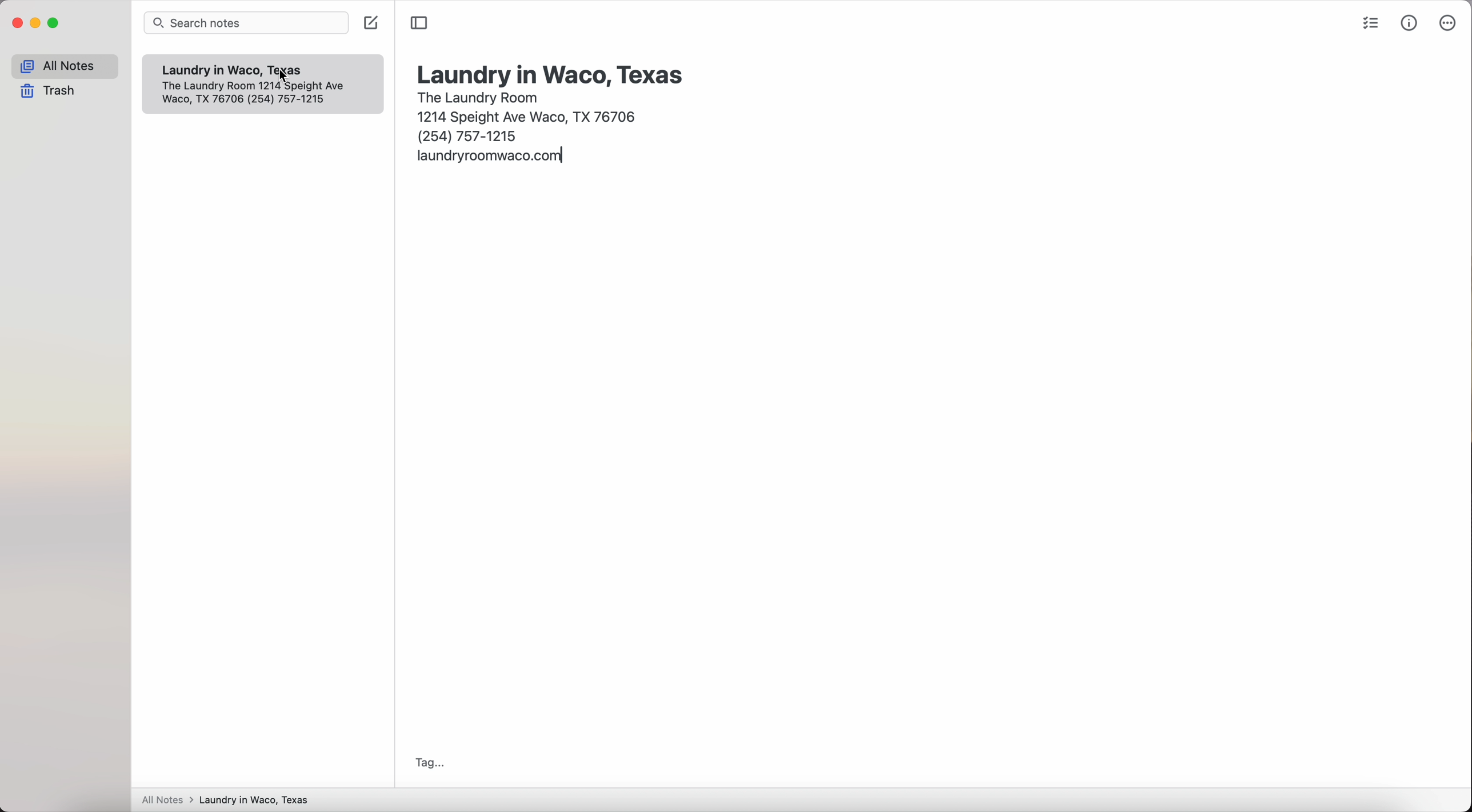  I want to click on check list, so click(1368, 25).